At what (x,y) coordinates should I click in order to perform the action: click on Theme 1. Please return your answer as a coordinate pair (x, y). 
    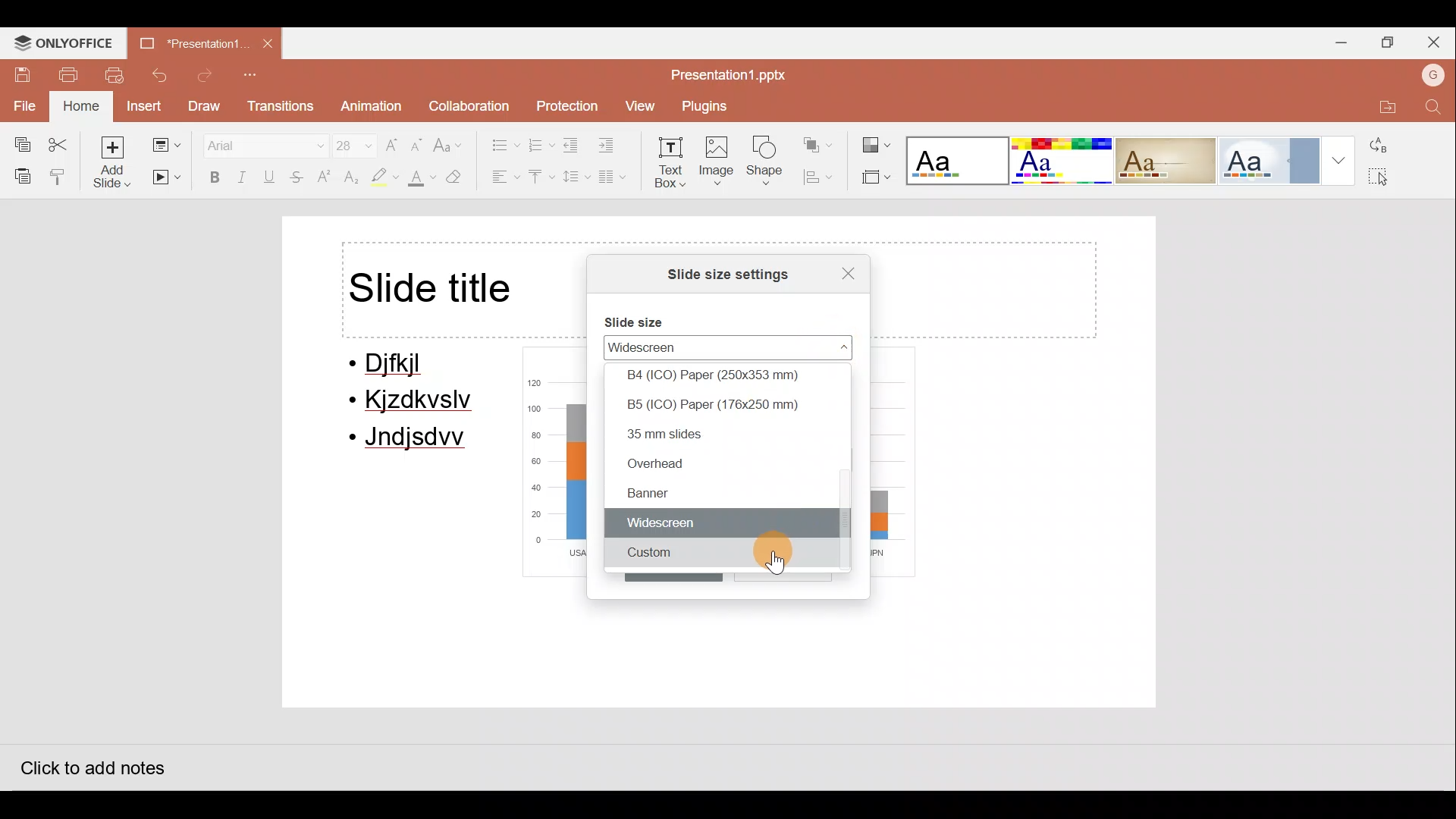
    Looking at the image, I should click on (959, 162).